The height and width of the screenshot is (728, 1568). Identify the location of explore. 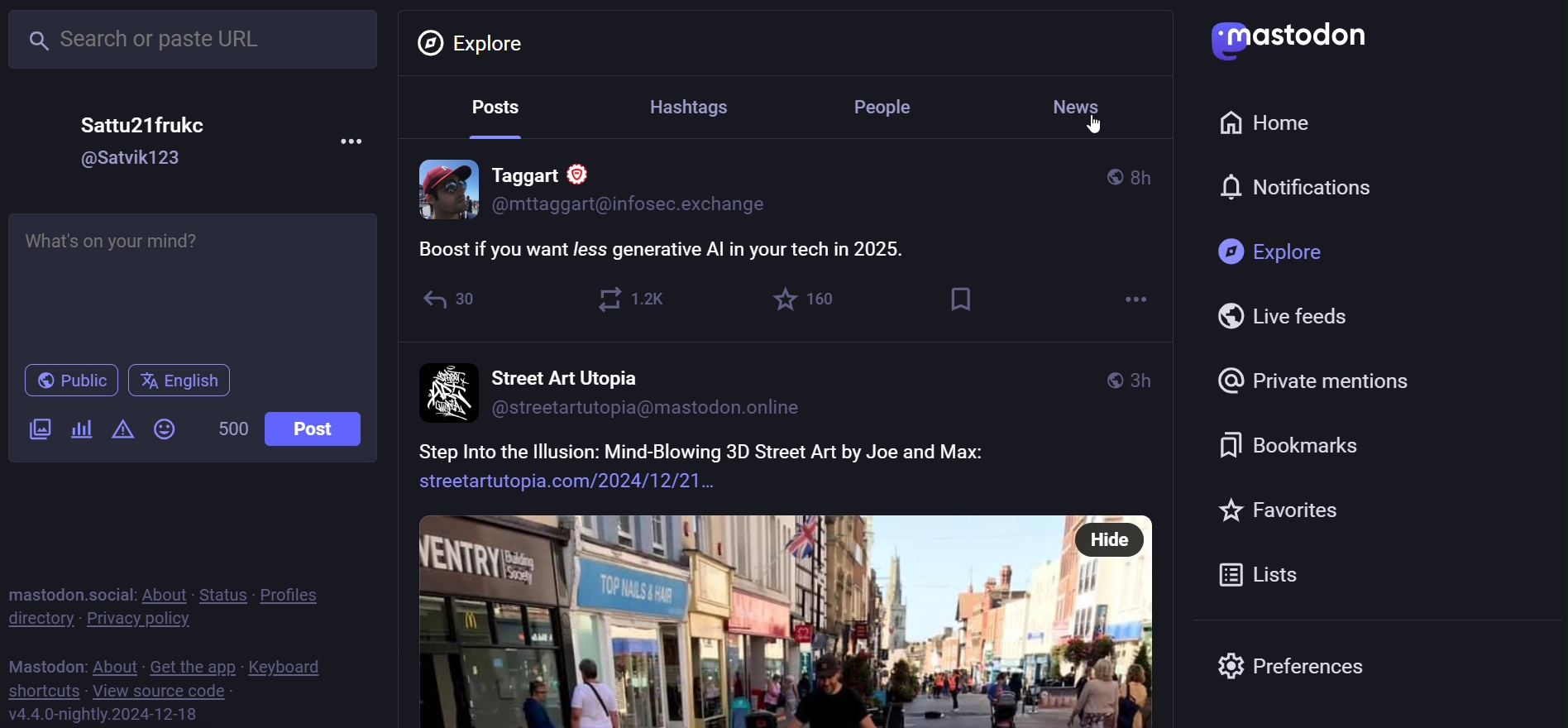
(477, 42).